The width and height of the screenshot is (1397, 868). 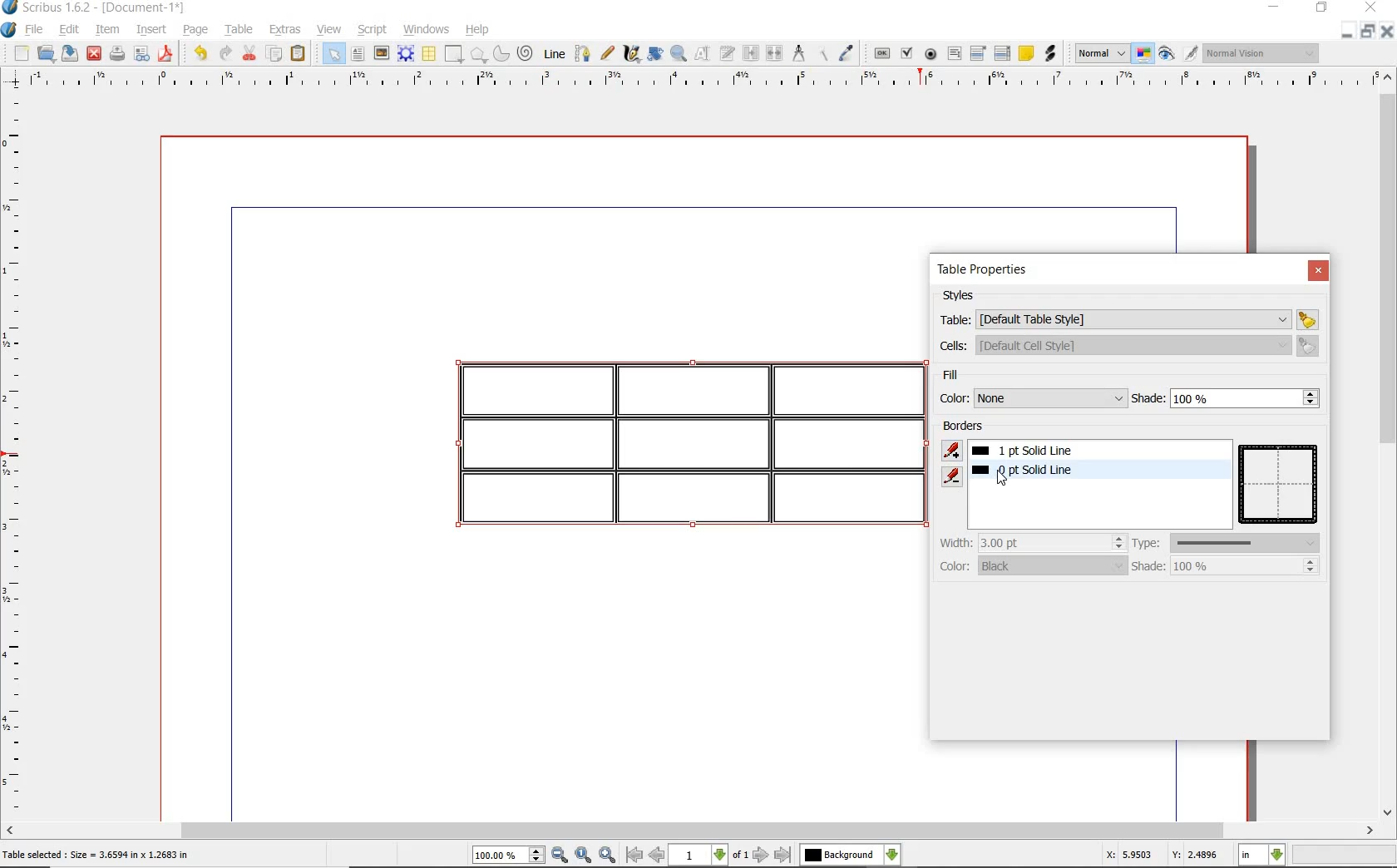 I want to click on file, so click(x=36, y=31).